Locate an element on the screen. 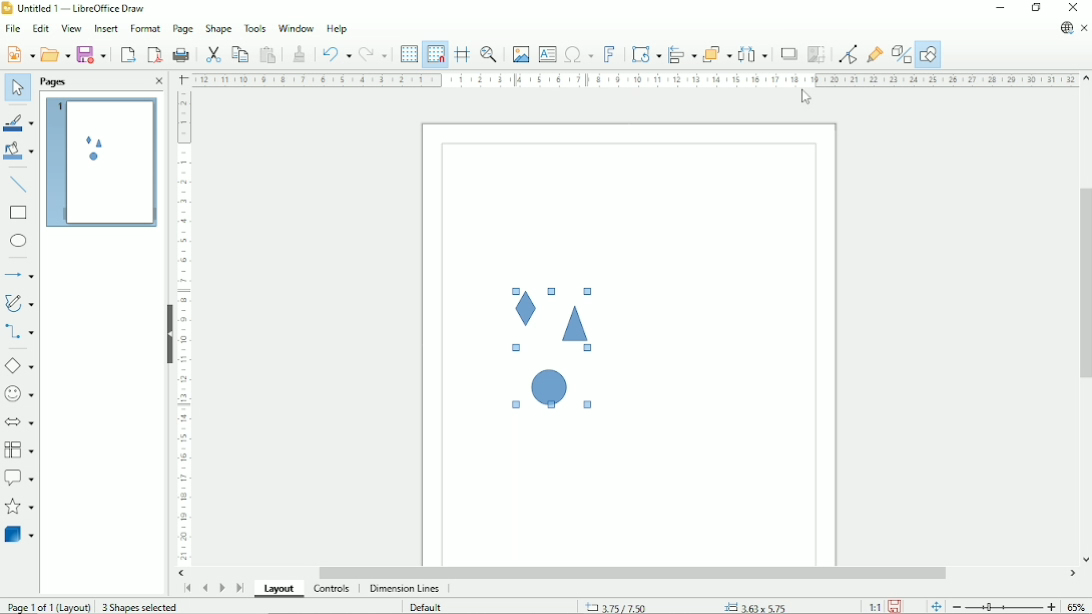  Zoom factor is located at coordinates (1077, 605).